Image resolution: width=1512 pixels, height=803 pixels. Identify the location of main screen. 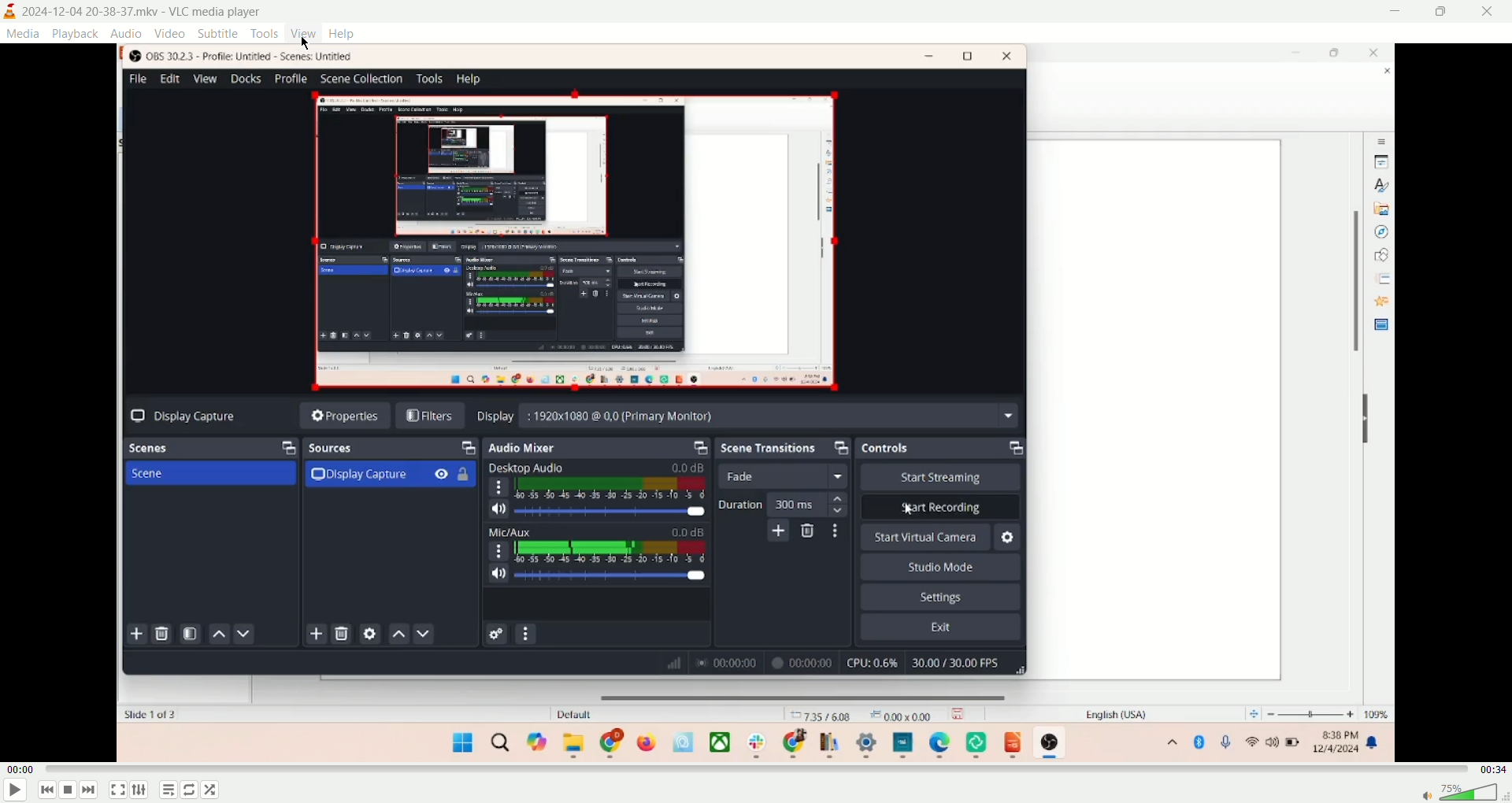
(755, 401).